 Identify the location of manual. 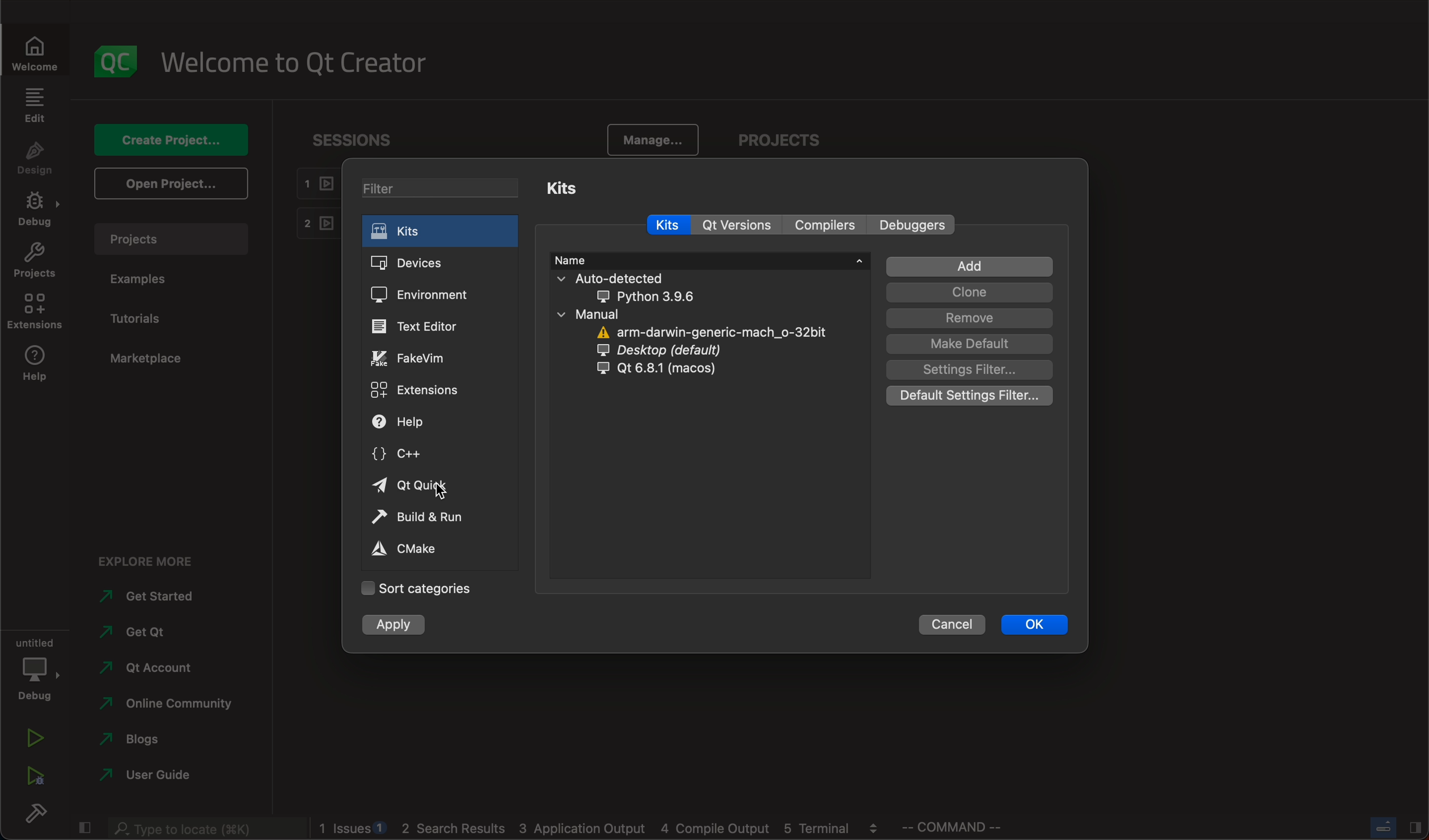
(689, 344).